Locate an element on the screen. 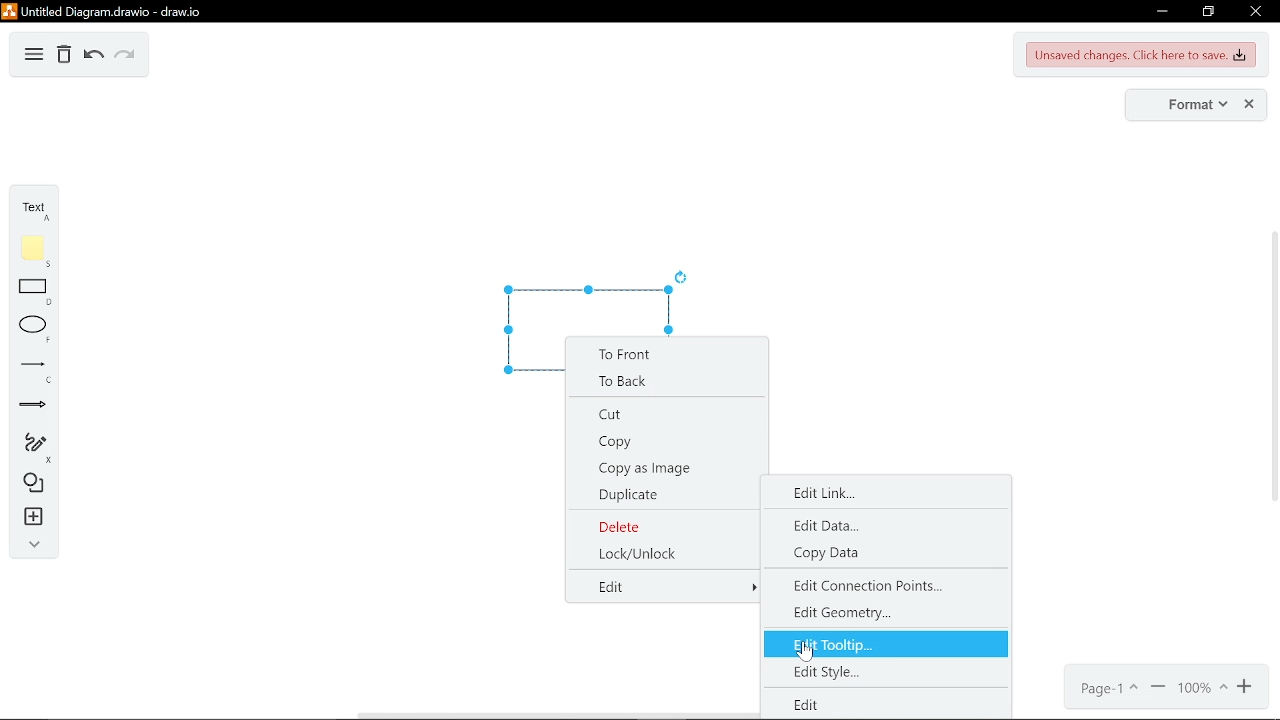  lines is located at coordinates (36, 372).